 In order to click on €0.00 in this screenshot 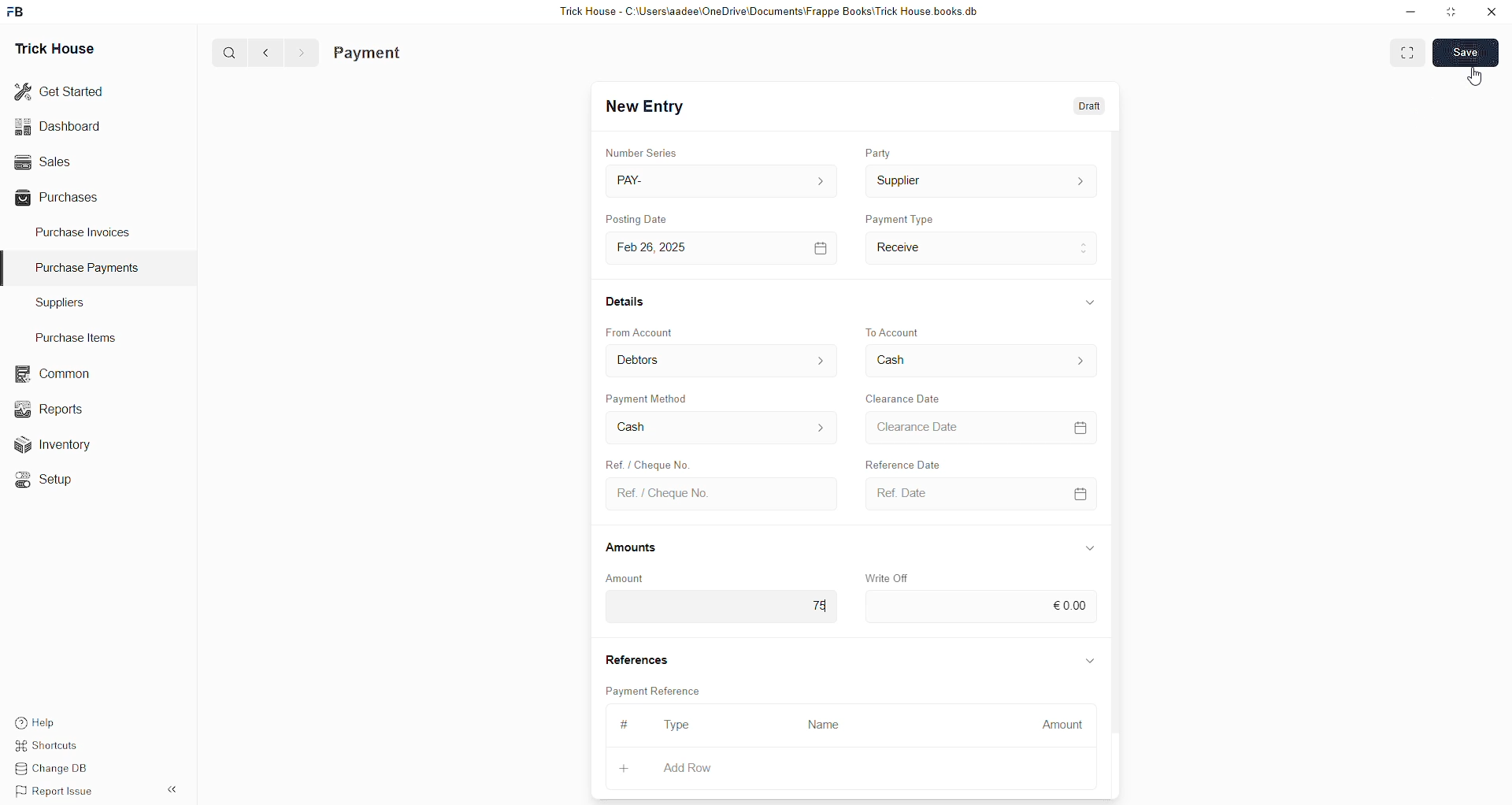, I will do `click(980, 607)`.